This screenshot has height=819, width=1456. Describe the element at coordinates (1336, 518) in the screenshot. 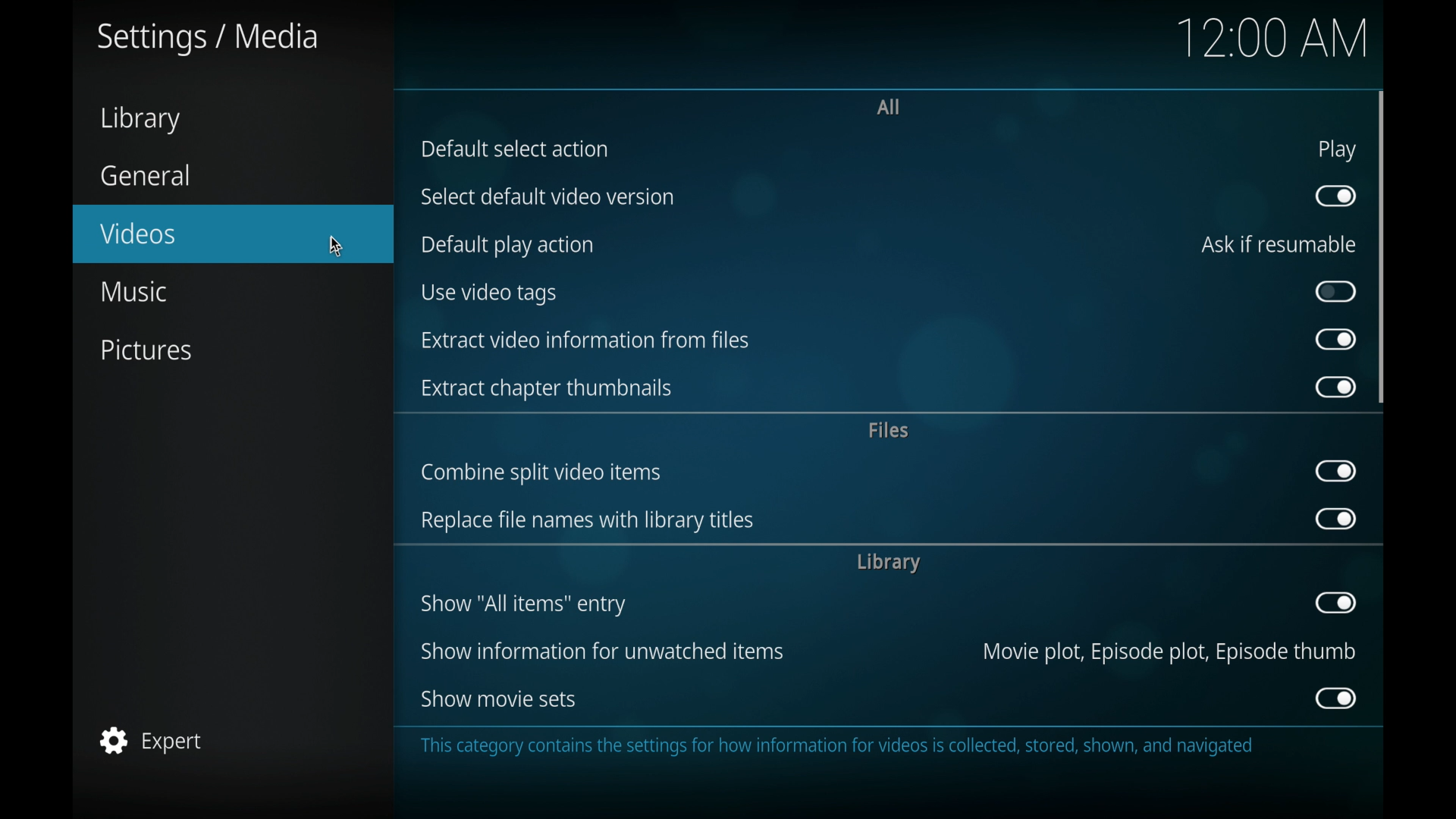

I see `toggle button` at that location.